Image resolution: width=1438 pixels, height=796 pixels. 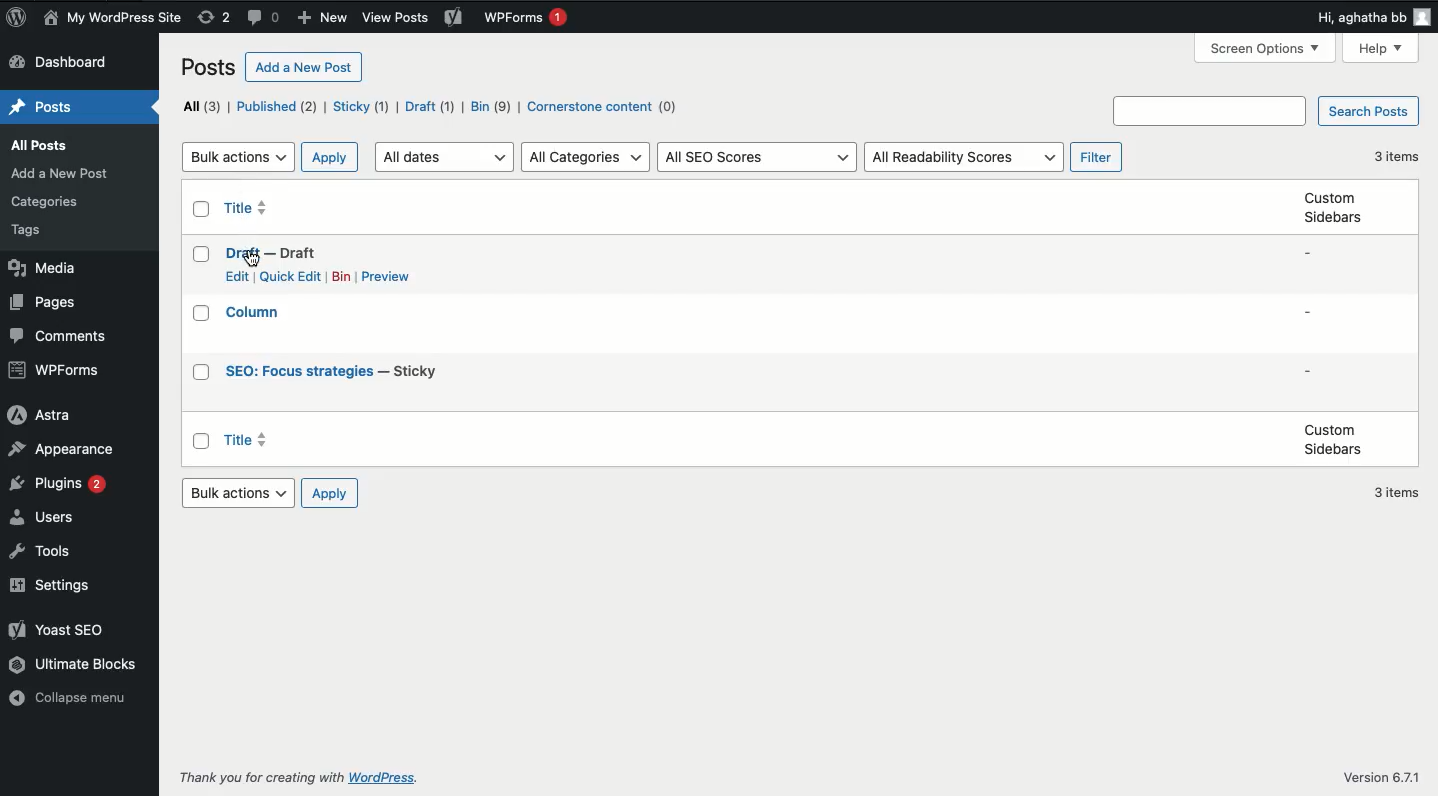 What do you see at coordinates (586, 158) in the screenshot?
I see `All categories ` at bounding box center [586, 158].